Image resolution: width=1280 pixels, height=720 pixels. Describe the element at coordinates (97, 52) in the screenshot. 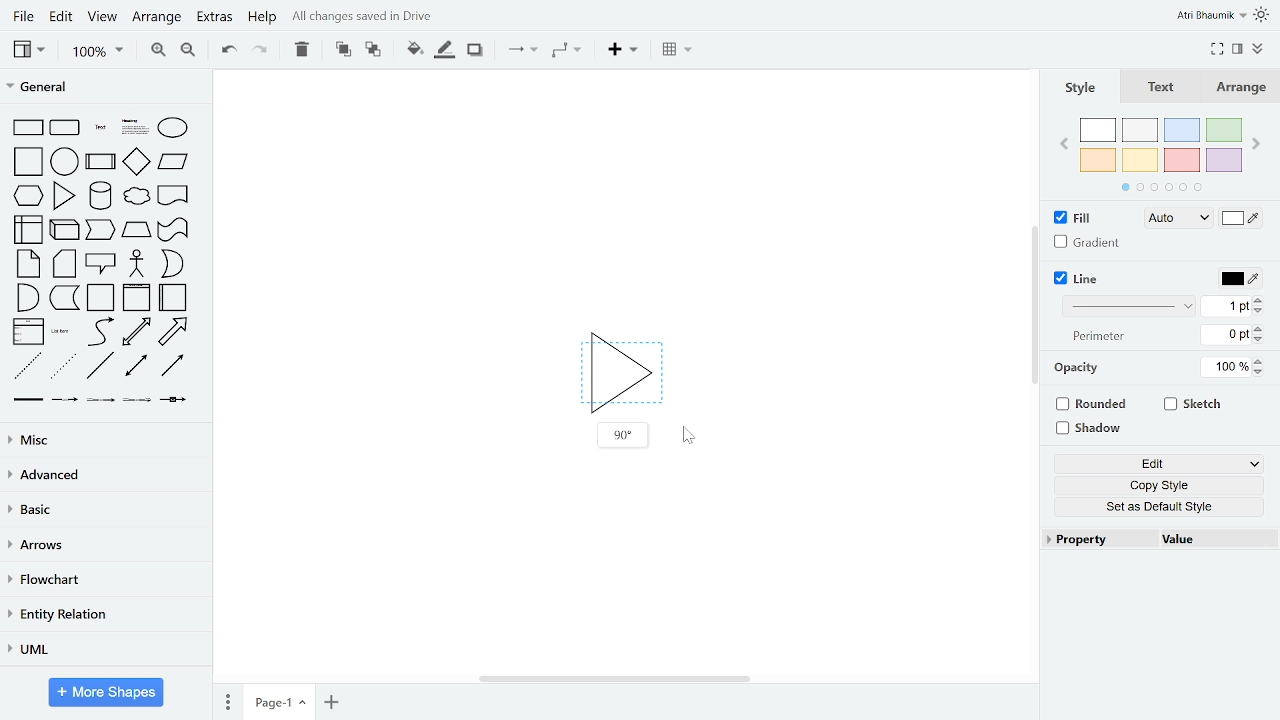

I see `zoom` at that location.